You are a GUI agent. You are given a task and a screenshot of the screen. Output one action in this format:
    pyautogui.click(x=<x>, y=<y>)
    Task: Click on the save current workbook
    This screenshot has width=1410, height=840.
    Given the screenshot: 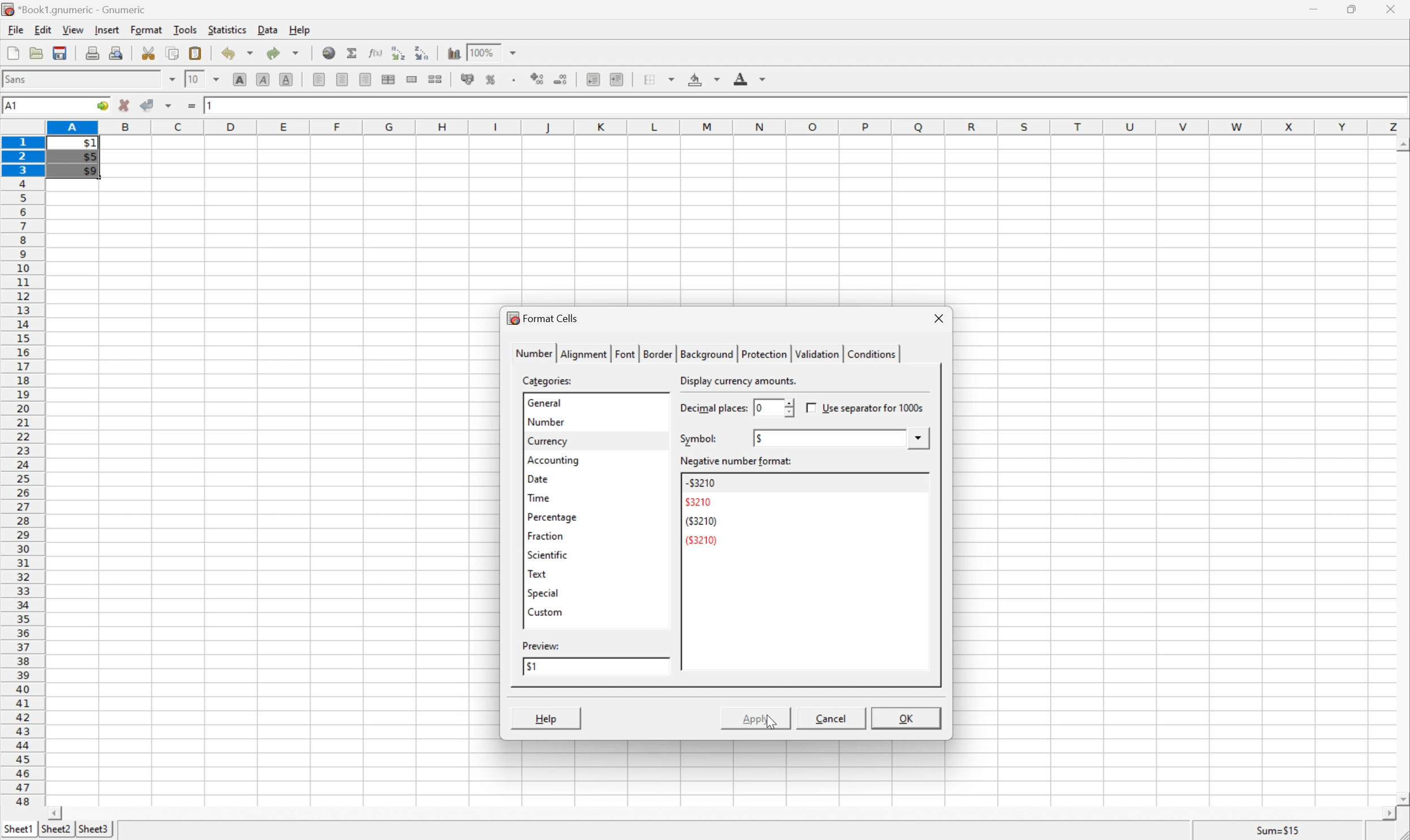 What is the action you would take?
    pyautogui.click(x=60, y=53)
    